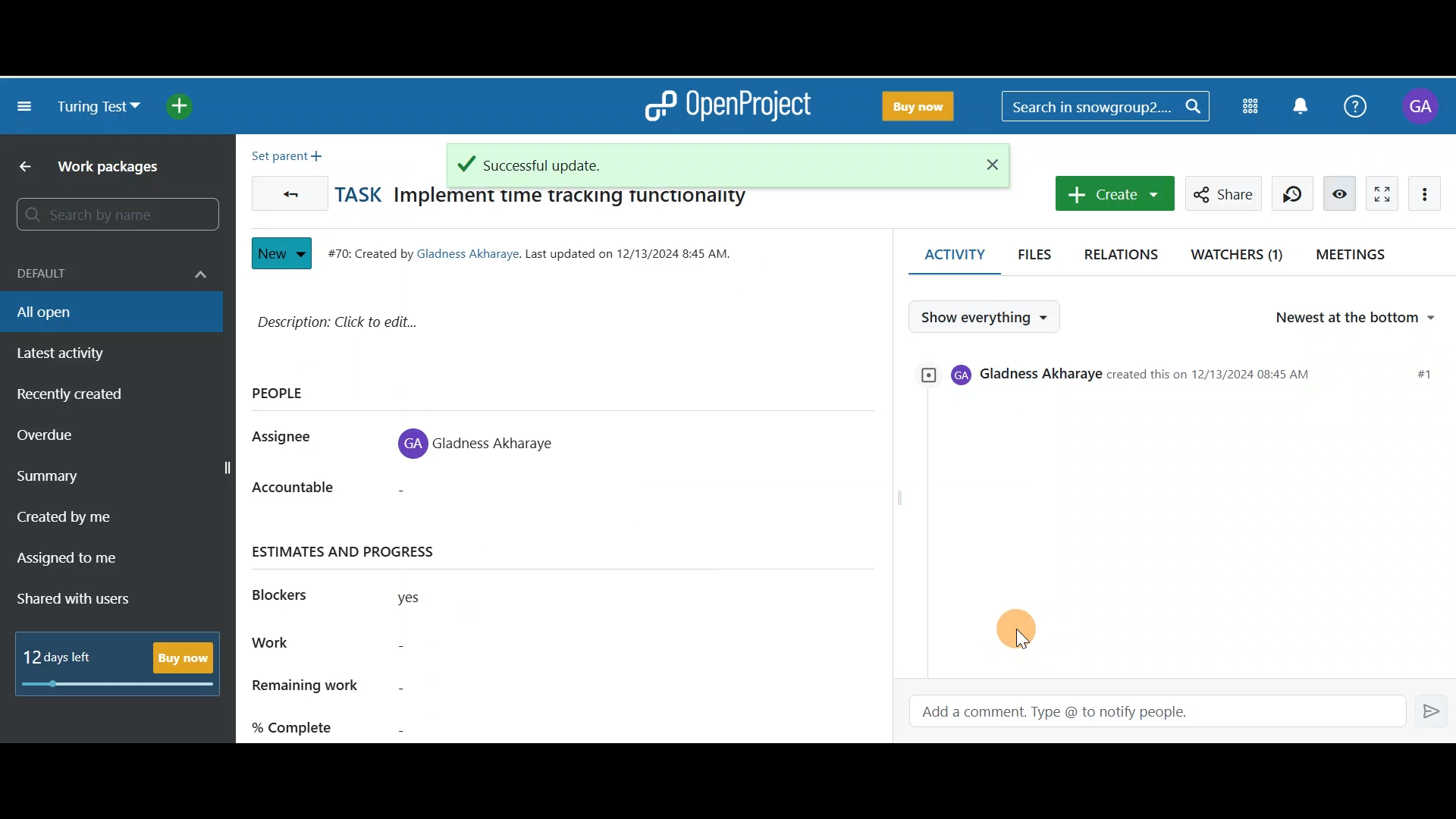  I want to click on All open, so click(101, 311).